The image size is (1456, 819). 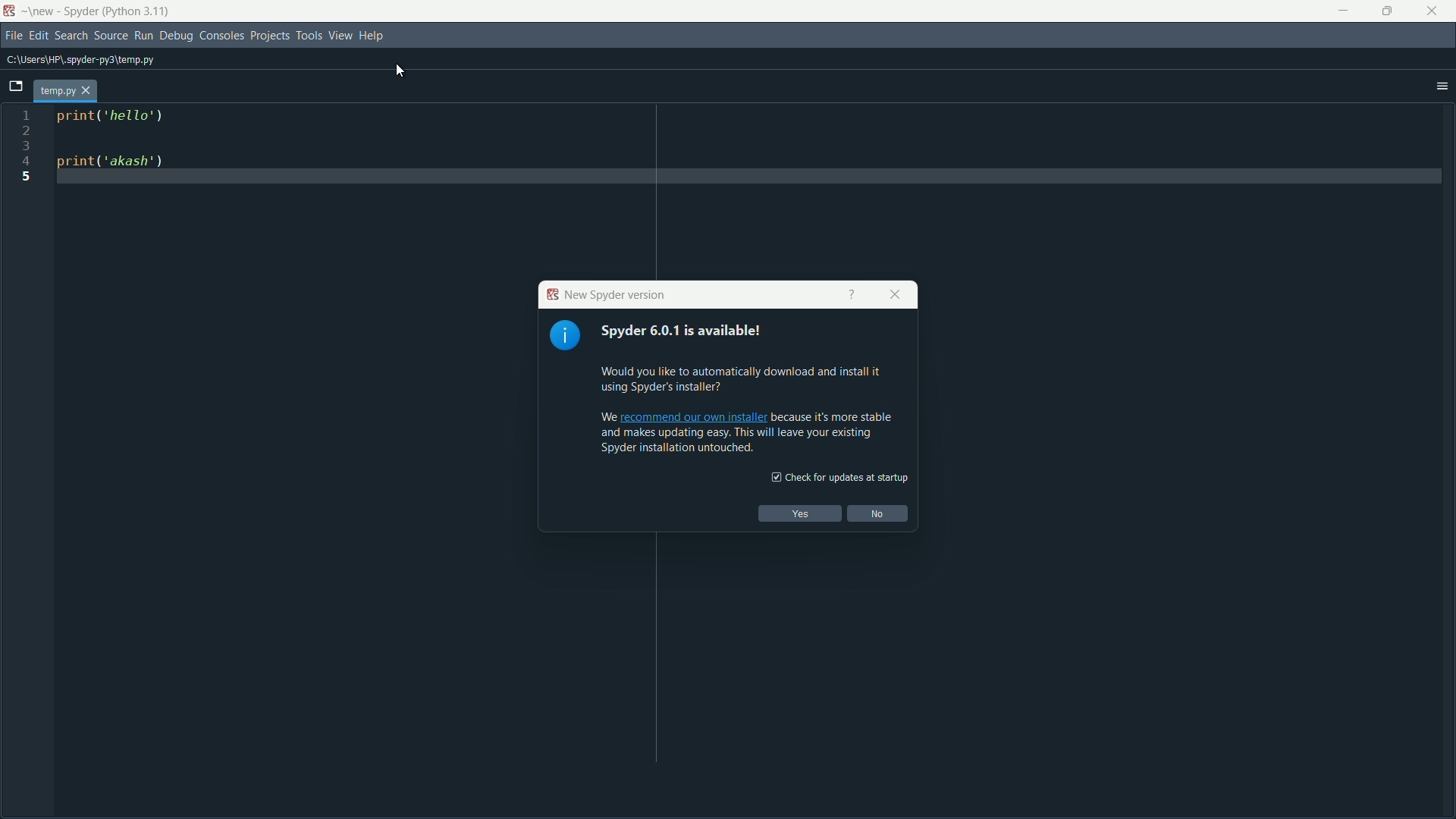 What do you see at coordinates (271, 34) in the screenshot?
I see `projects menu` at bounding box center [271, 34].